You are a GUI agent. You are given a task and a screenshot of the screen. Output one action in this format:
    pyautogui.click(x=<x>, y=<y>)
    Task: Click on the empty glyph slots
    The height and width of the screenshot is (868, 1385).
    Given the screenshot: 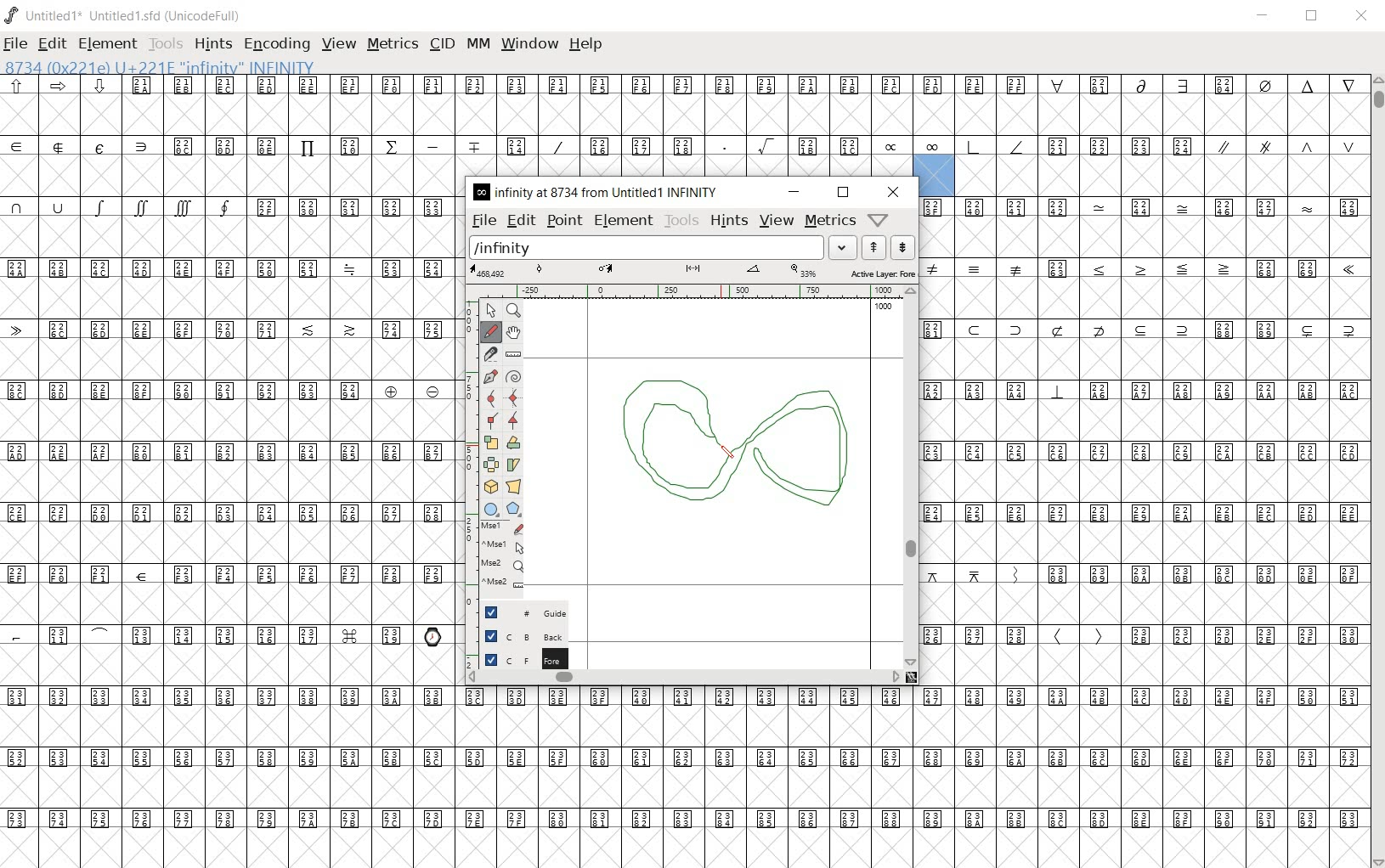 What is the action you would take?
    pyautogui.click(x=227, y=237)
    